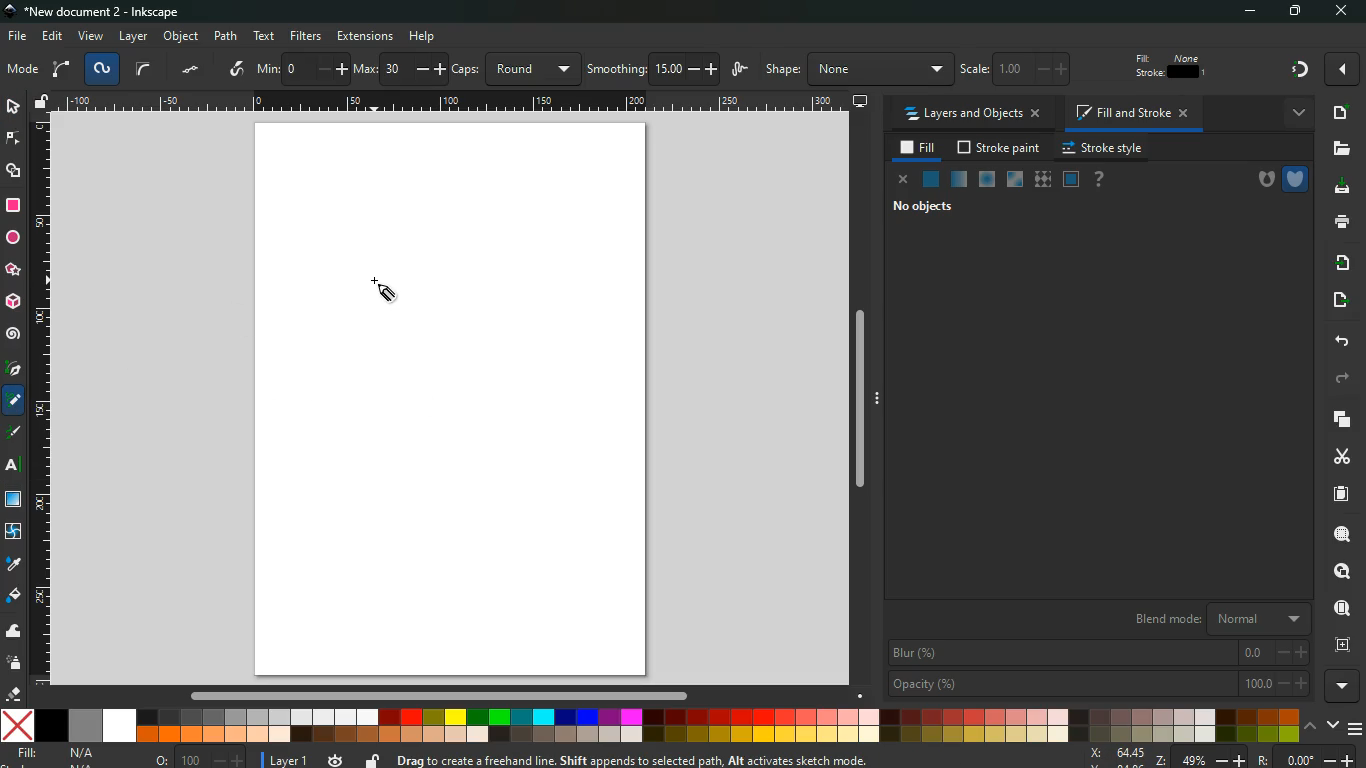 The image size is (1366, 768). Describe the element at coordinates (1340, 607) in the screenshot. I see `find` at that location.